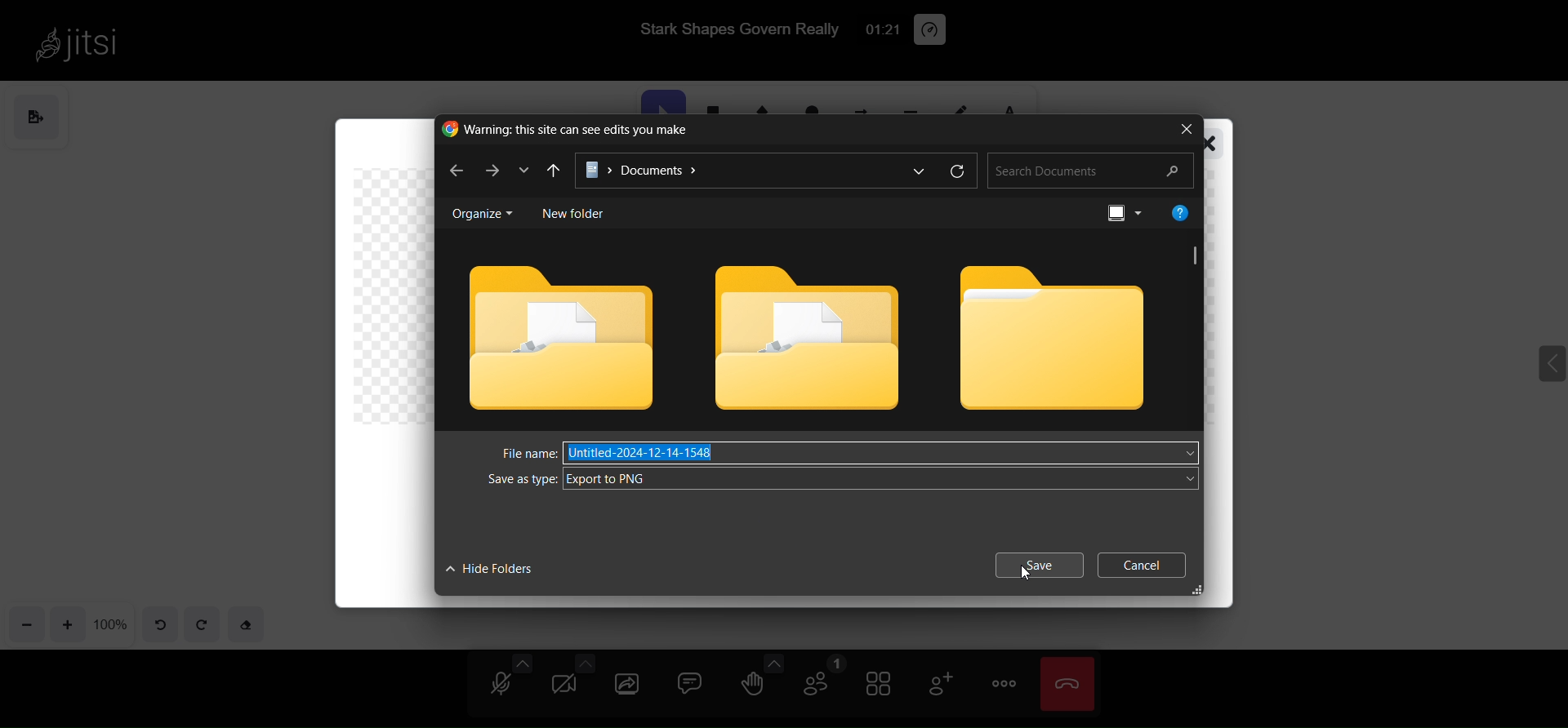 This screenshot has height=728, width=1568. I want to click on scroll bar, so click(1192, 260).